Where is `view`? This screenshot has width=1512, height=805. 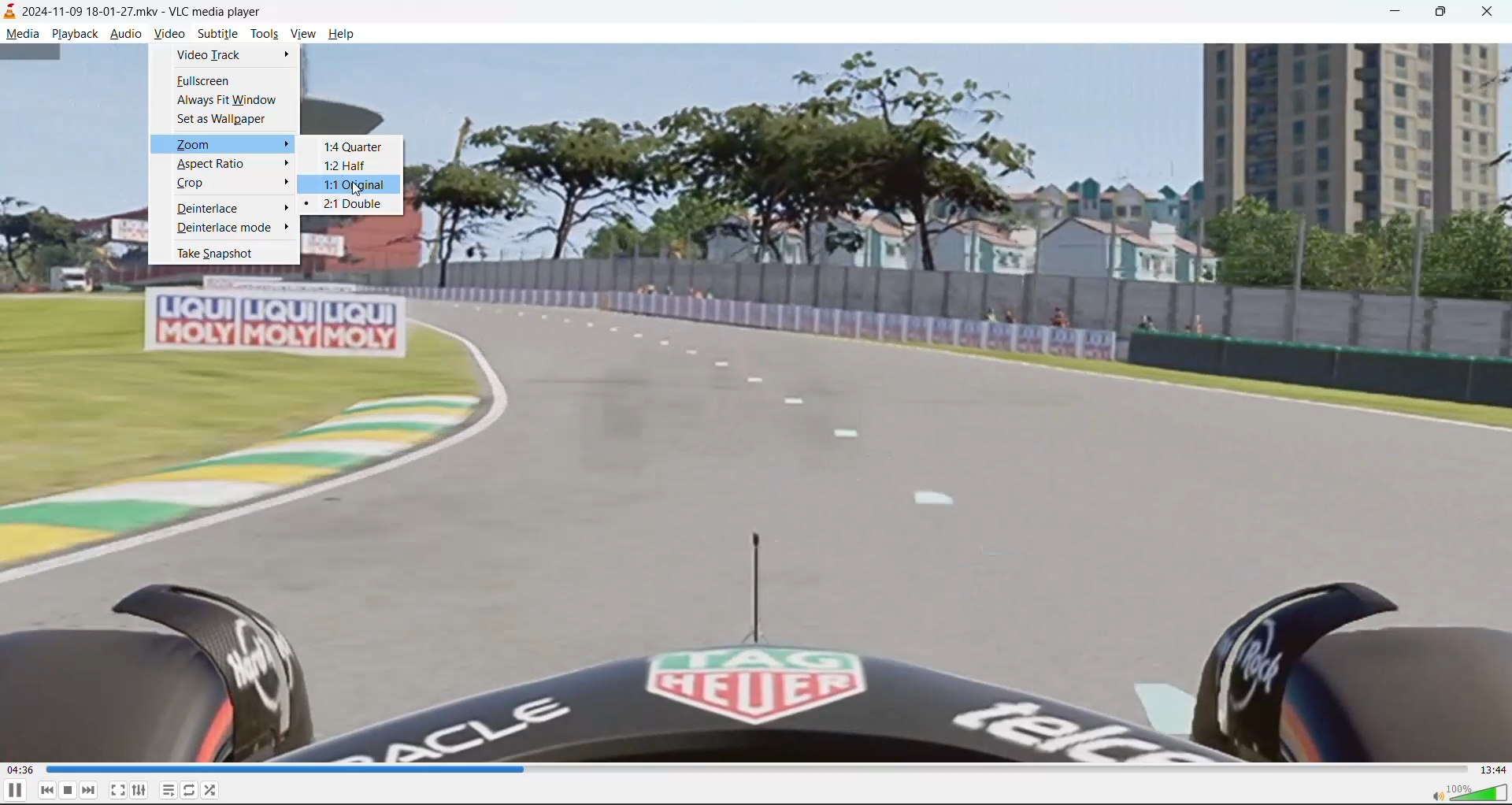 view is located at coordinates (300, 34).